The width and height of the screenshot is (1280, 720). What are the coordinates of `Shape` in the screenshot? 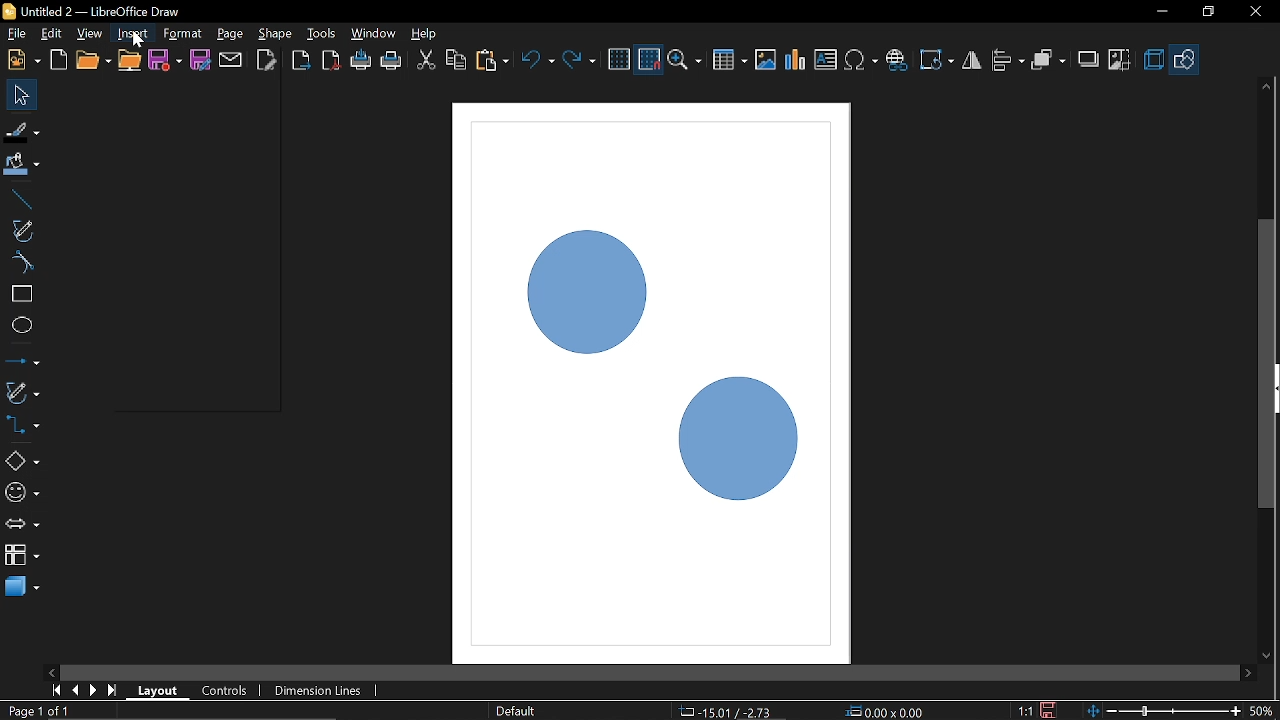 It's located at (276, 34).